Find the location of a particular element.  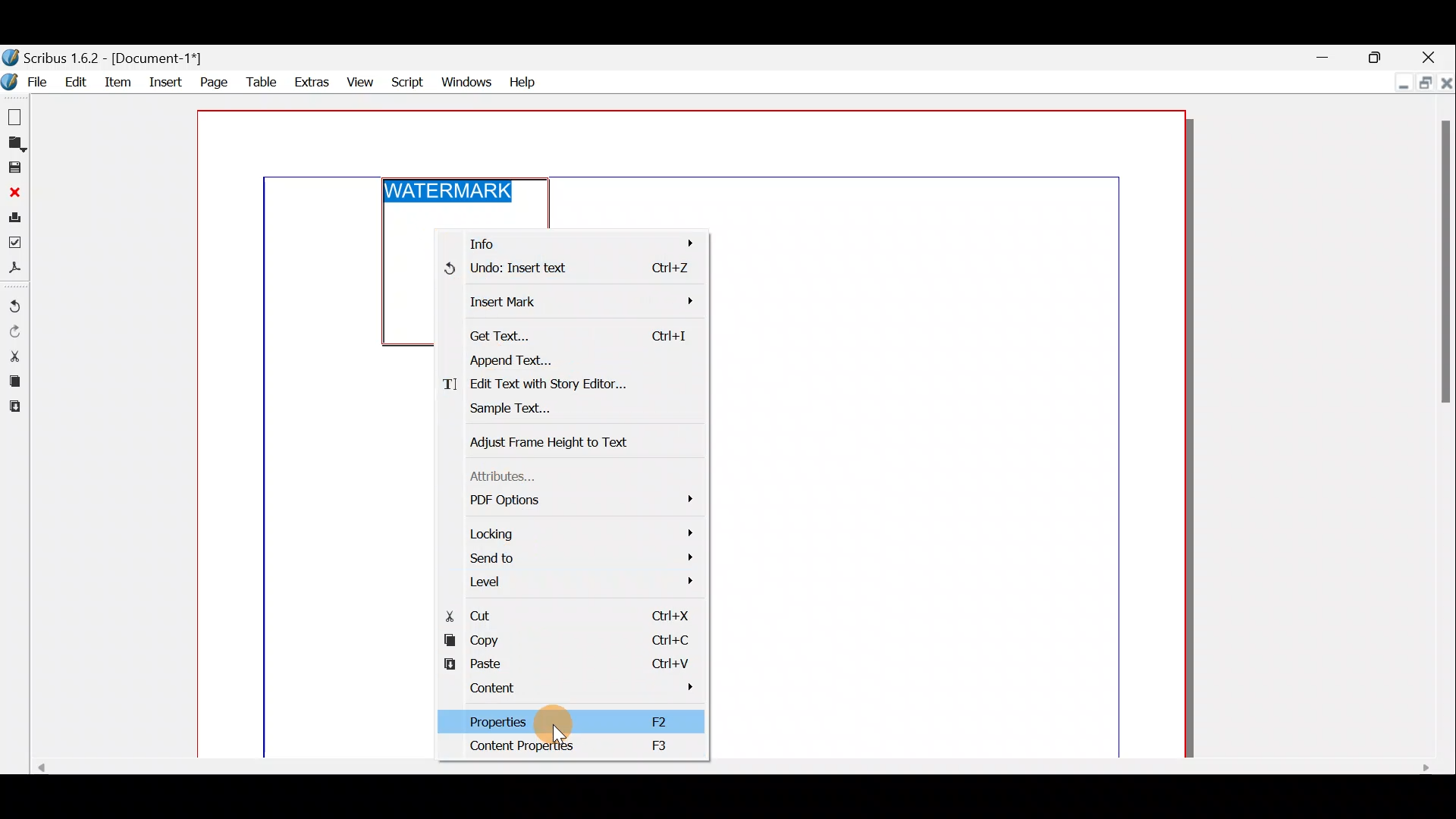

Content is located at coordinates (568, 691).